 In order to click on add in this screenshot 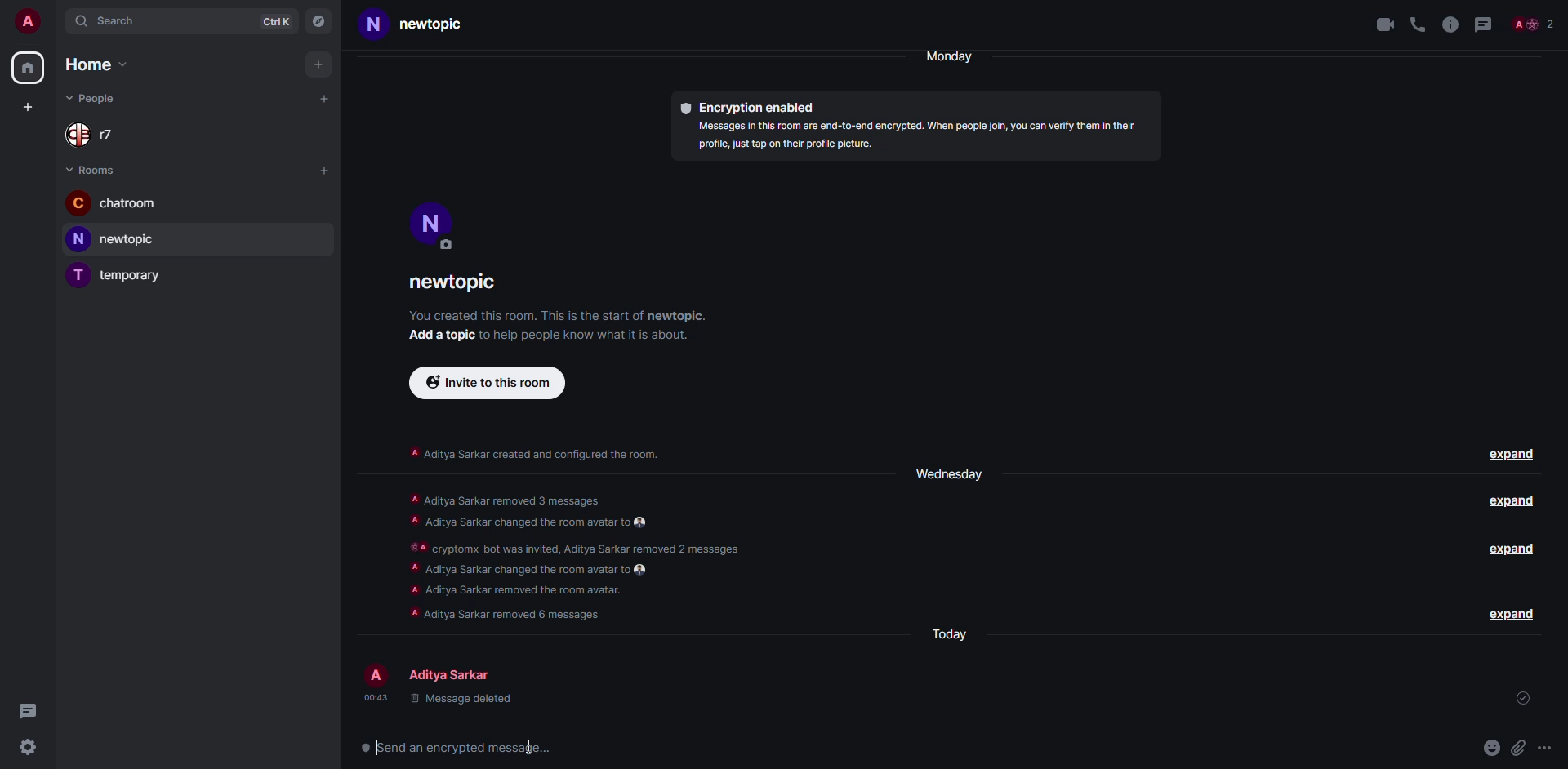, I will do `click(324, 169)`.